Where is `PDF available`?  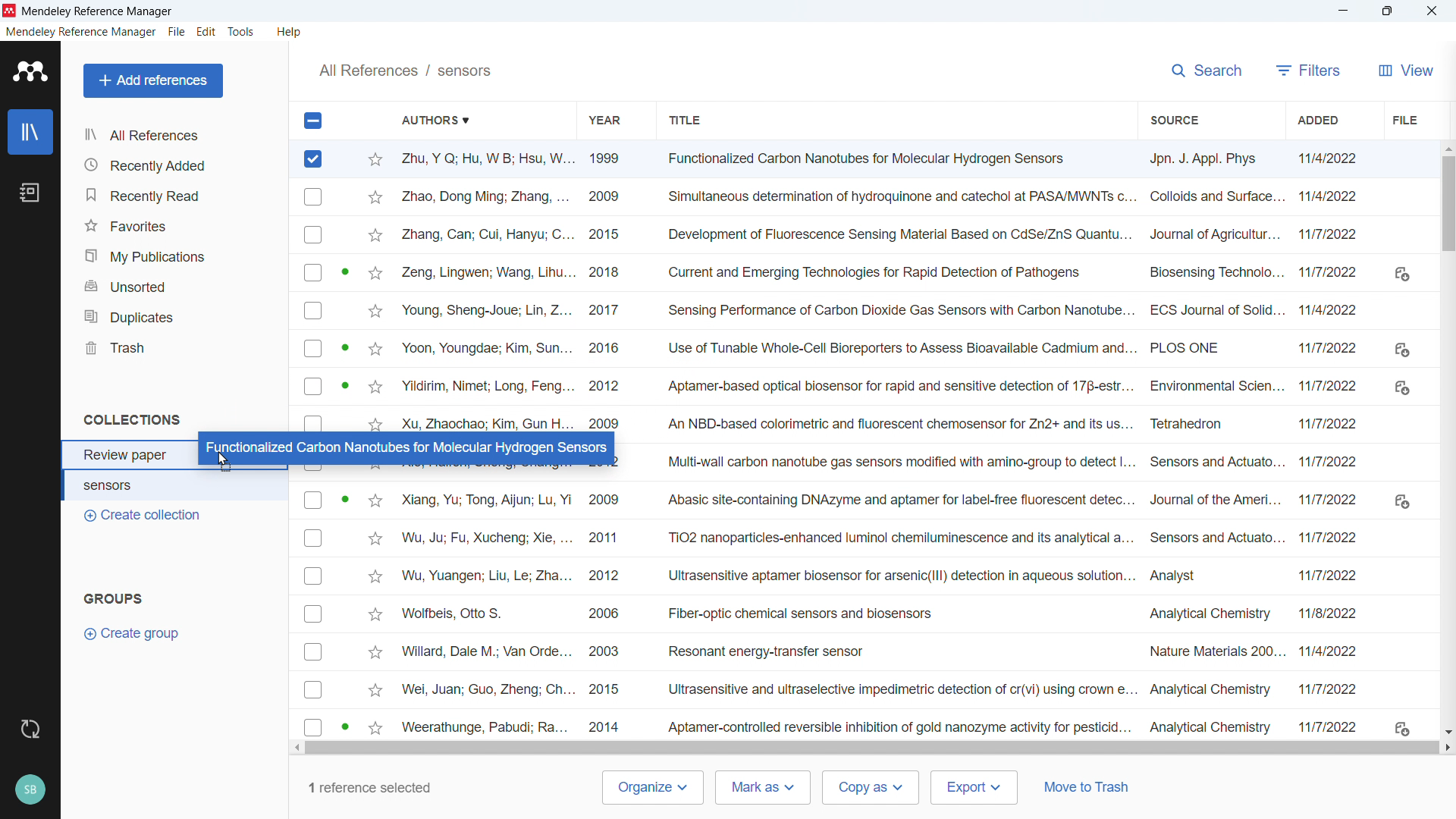
PDF available is located at coordinates (344, 346).